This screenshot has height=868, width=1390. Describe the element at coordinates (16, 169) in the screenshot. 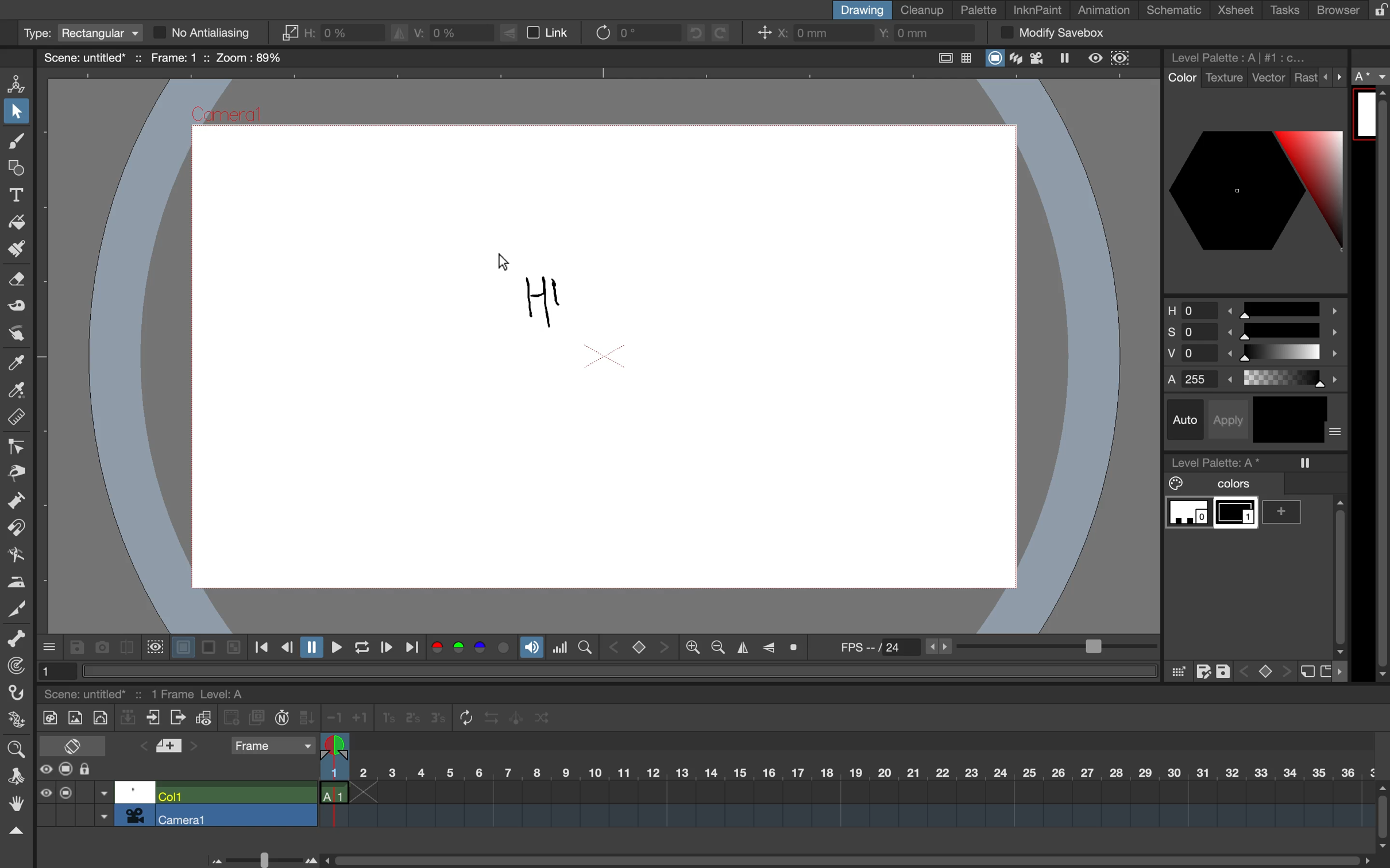

I see `geometric tool` at that location.